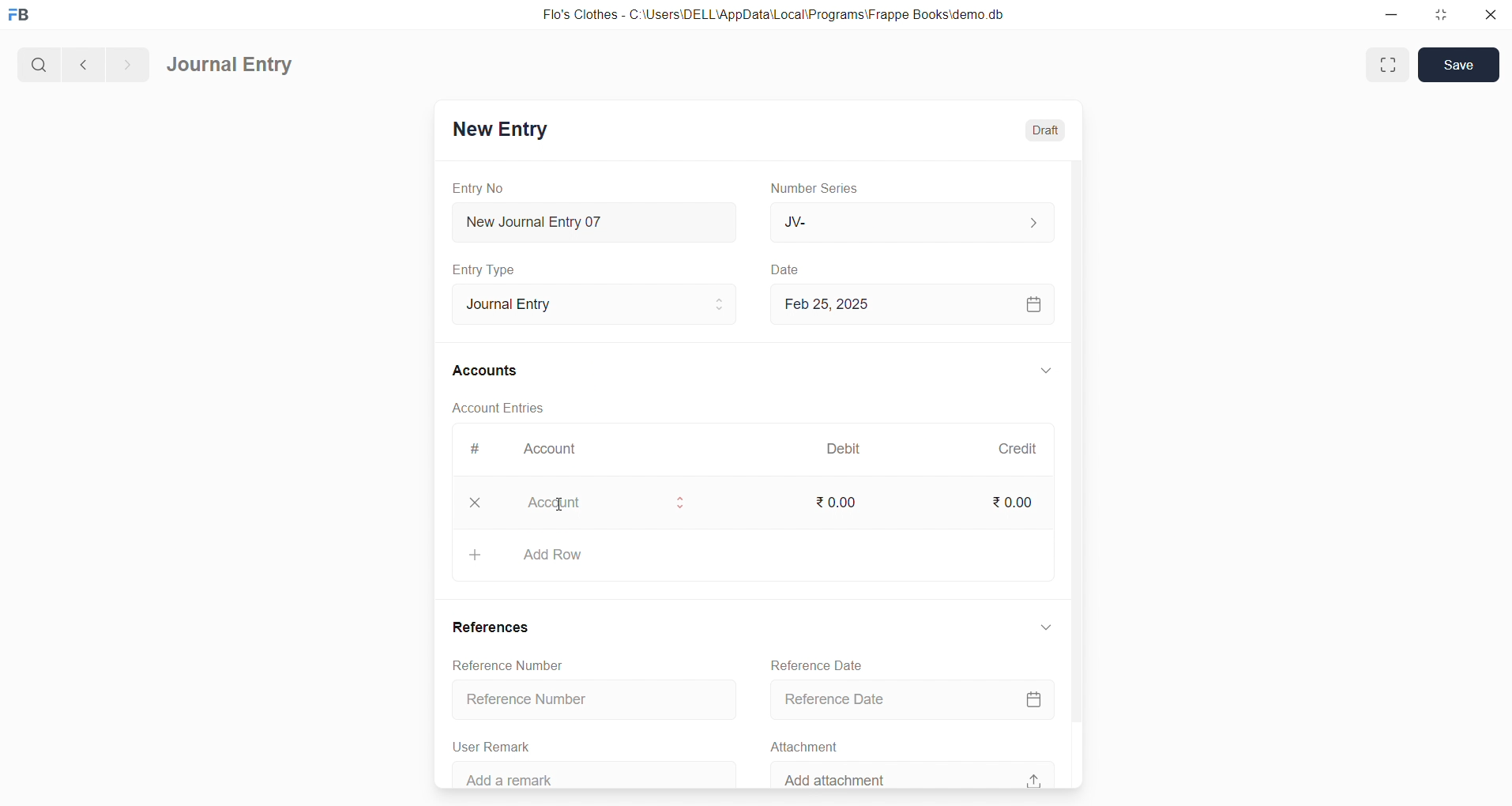 The height and width of the screenshot is (806, 1512). I want to click on Entry Type, so click(485, 269).